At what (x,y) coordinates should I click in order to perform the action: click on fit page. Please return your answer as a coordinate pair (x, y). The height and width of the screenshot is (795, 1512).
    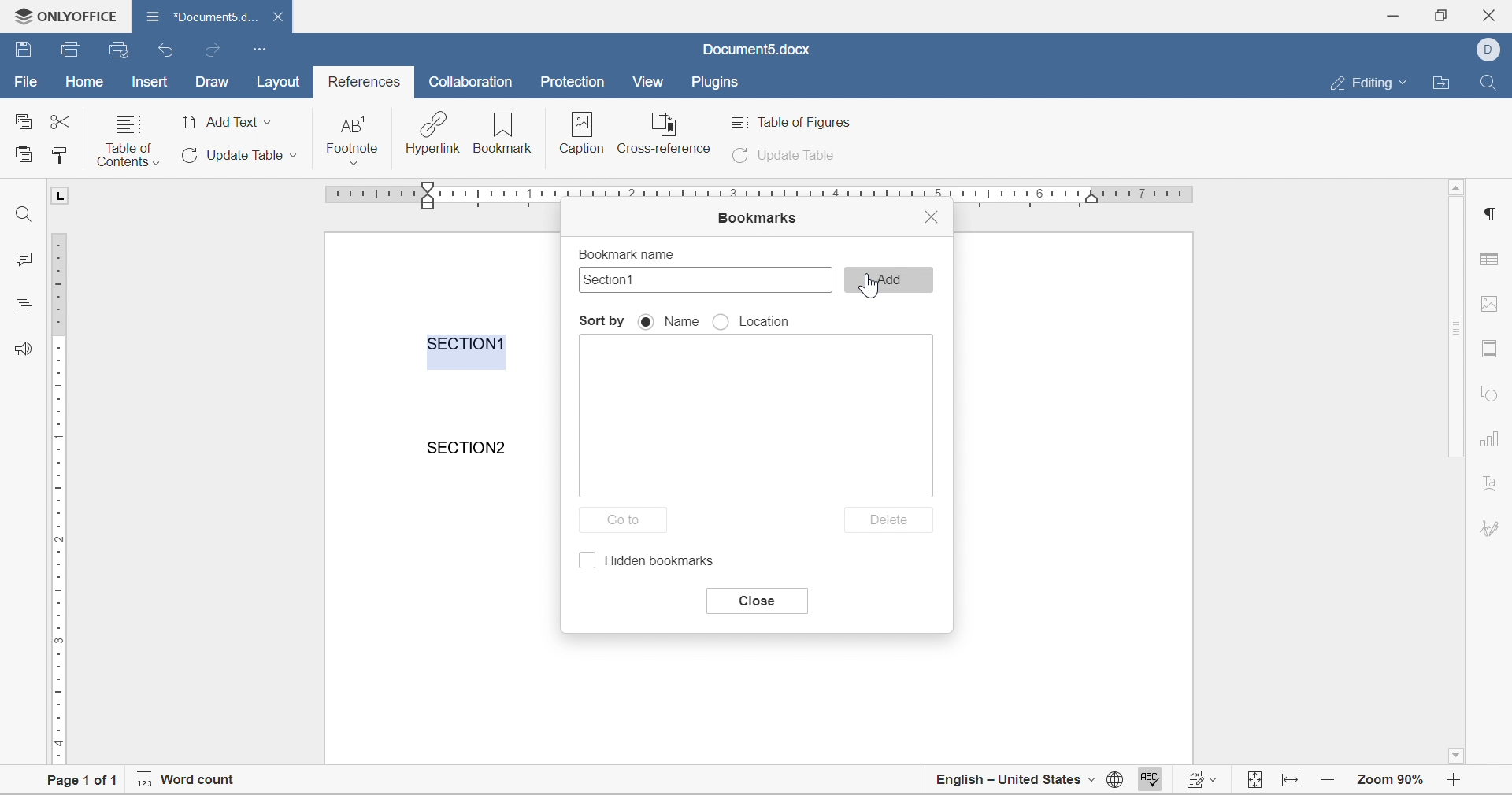
    Looking at the image, I should click on (1256, 781).